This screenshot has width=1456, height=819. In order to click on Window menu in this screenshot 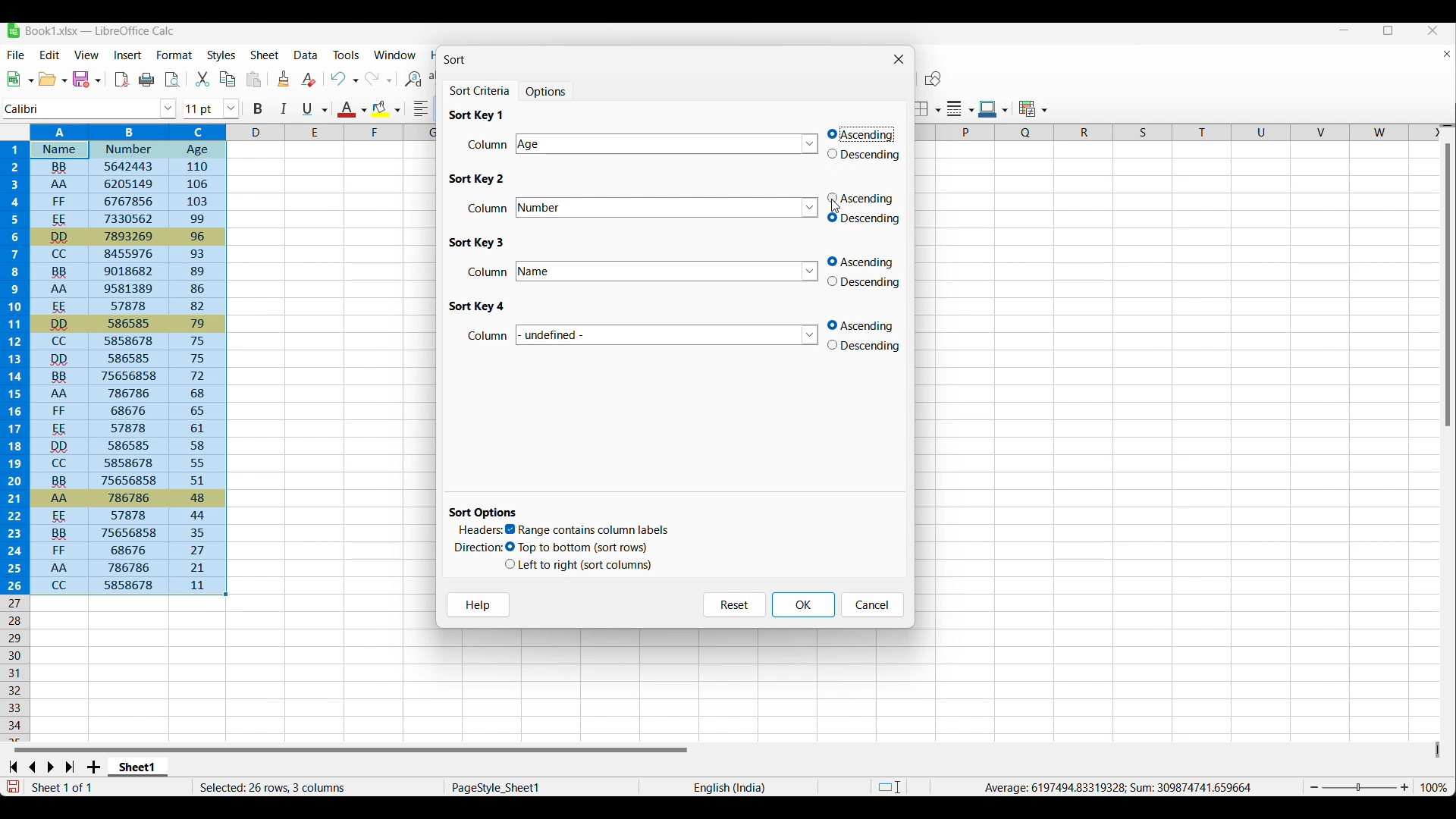, I will do `click(395, 55)`.